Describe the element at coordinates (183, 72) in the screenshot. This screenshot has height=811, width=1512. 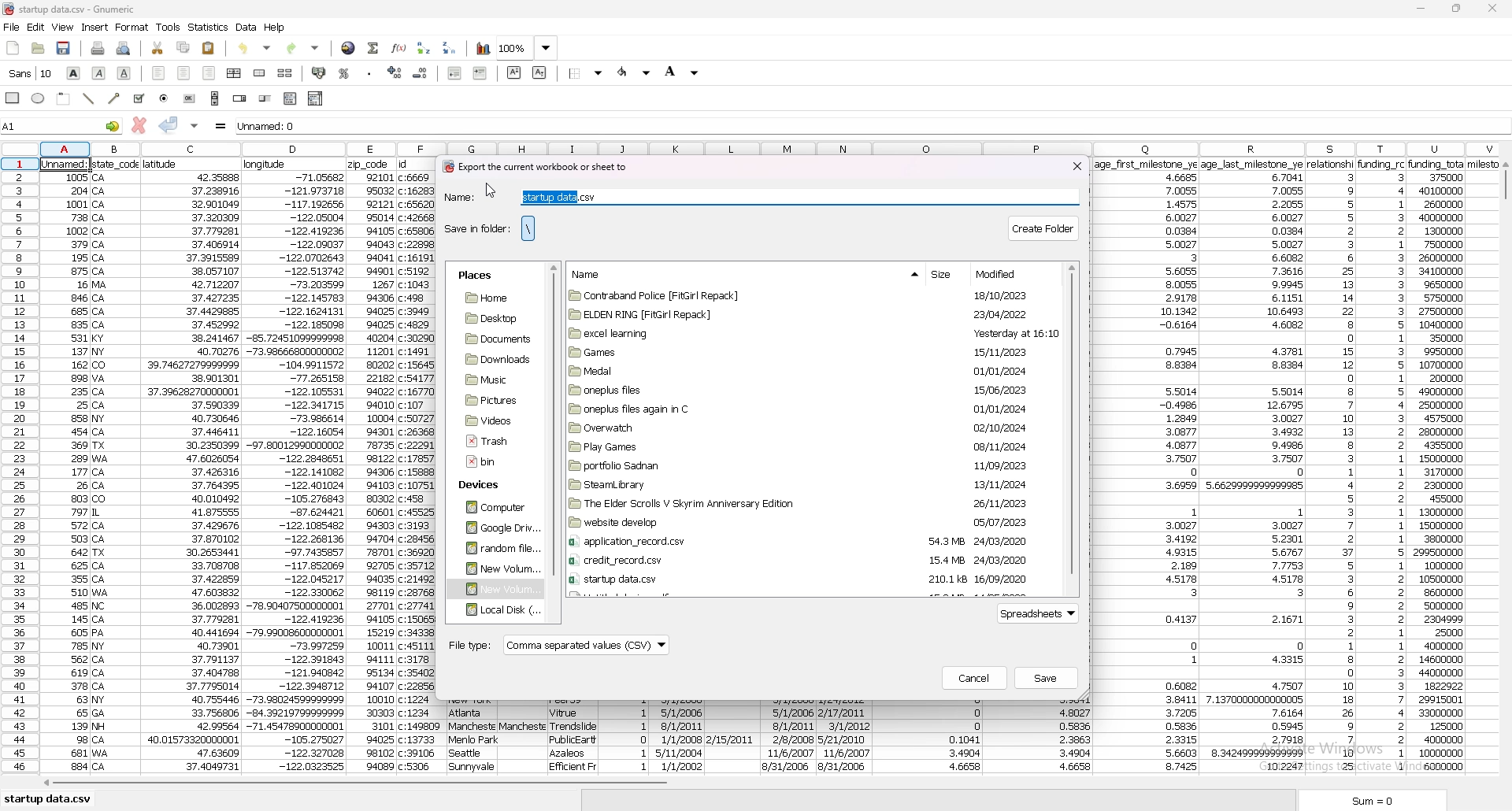
I see `centre` at that location.